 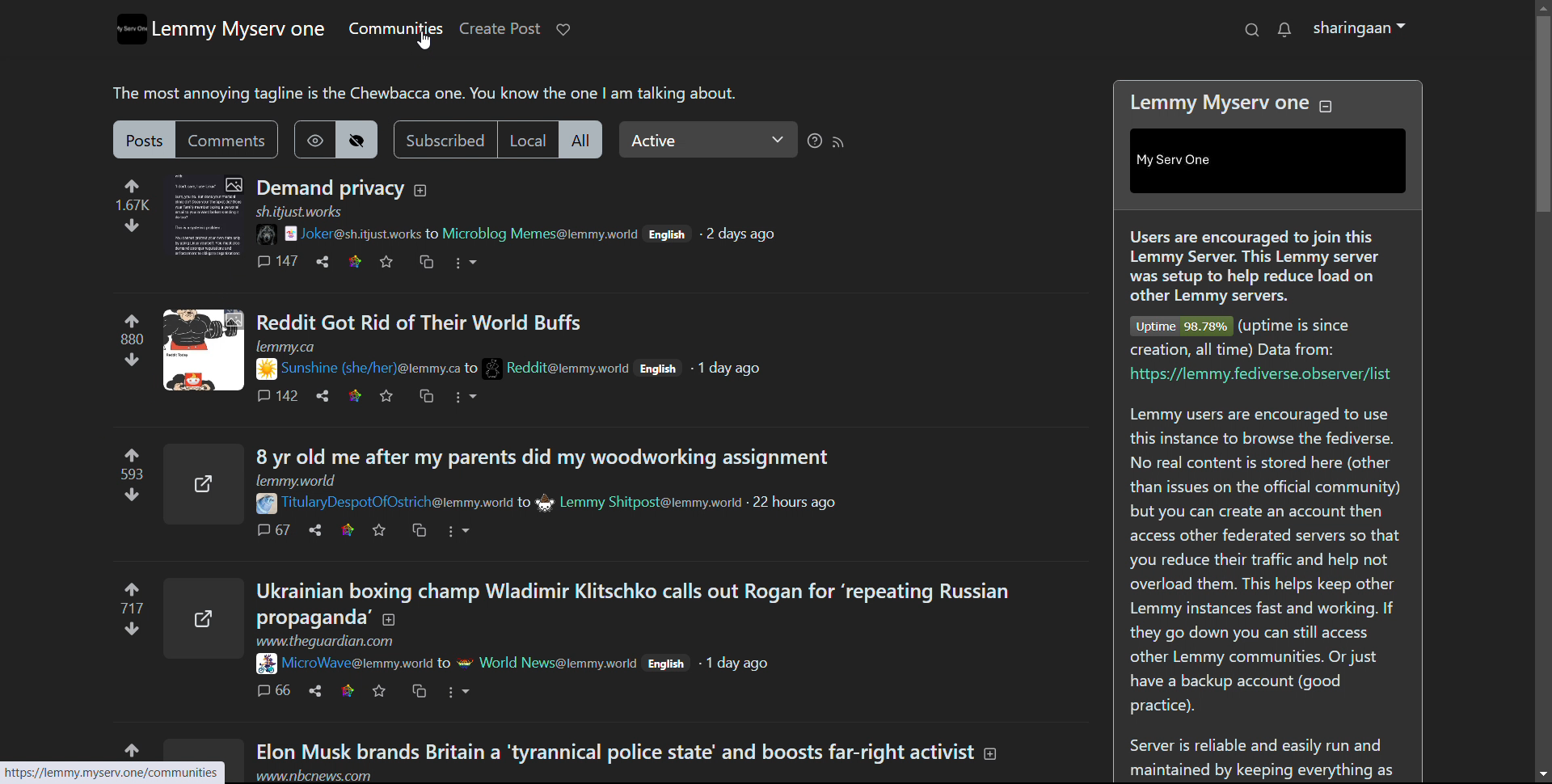 What do you see at coordinates (435, 234) in the screenshot?
I see `to` at bounding box center [435, 234].